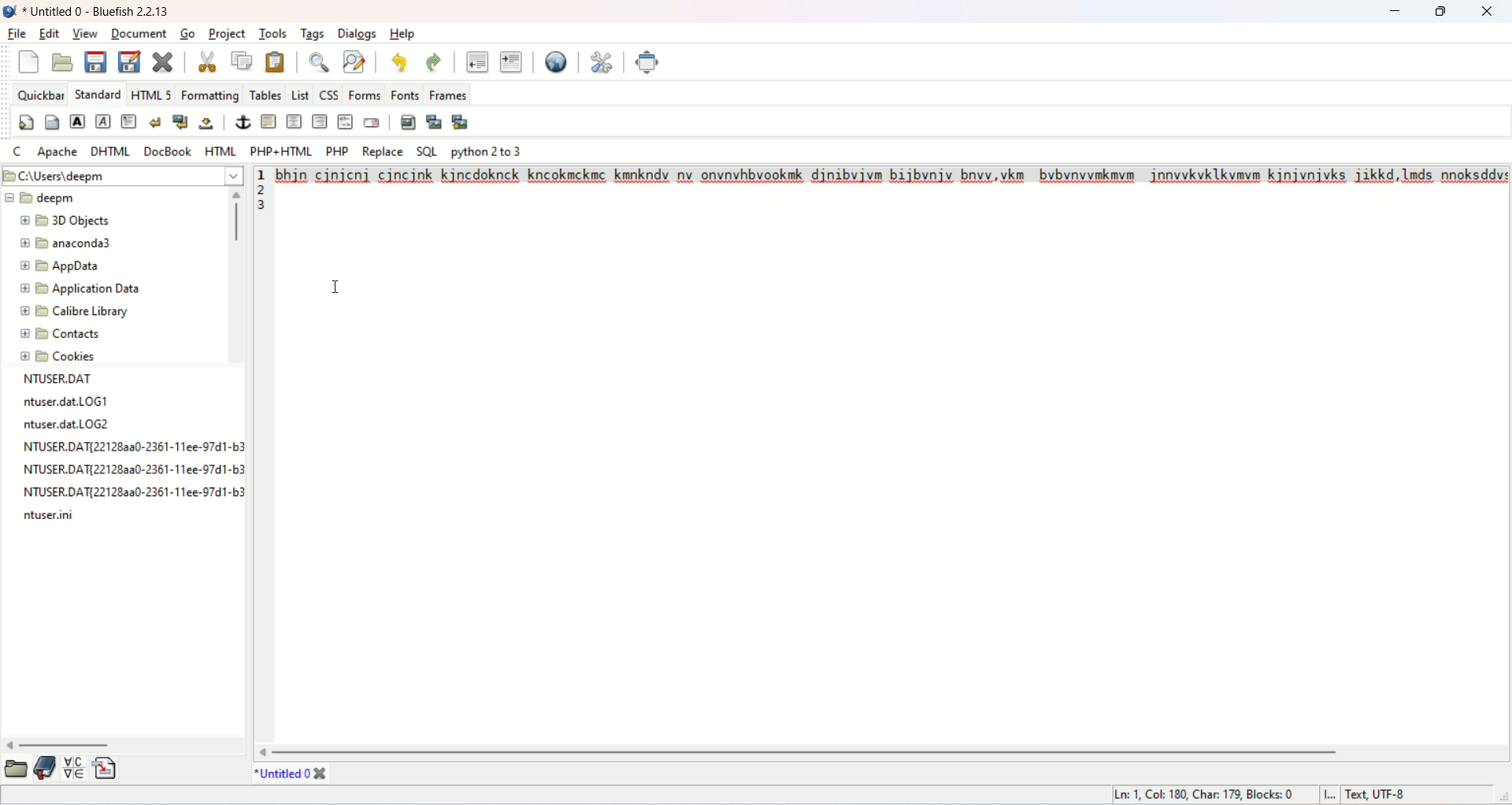 The width and height of the screenshot is (1512, 805). Describe the element at coordinates (1201, 794) in the screenshot. I see `ln, col, char, blocks` at that location.